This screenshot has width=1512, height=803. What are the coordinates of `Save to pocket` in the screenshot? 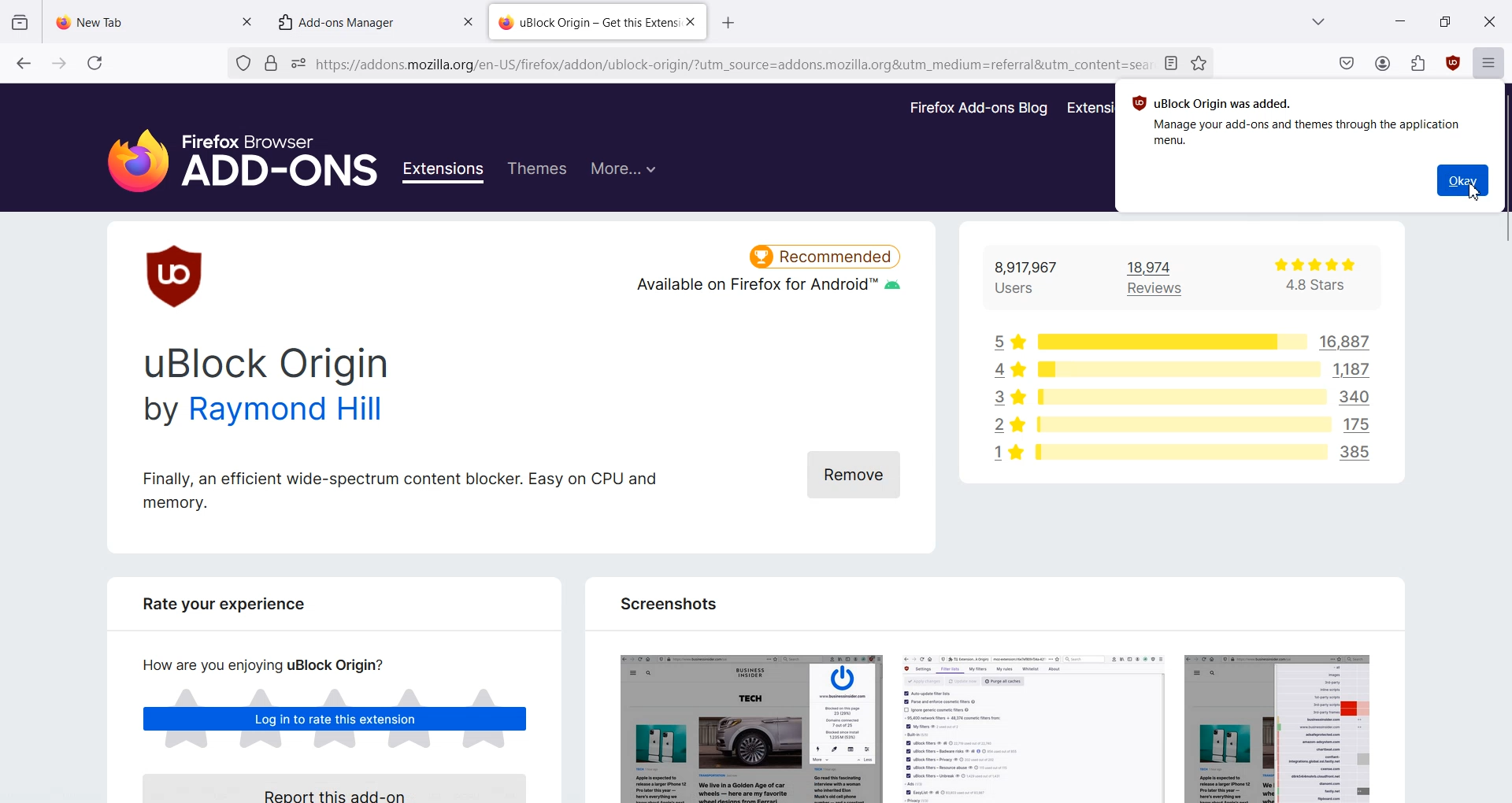 It's located at (1344, 63).